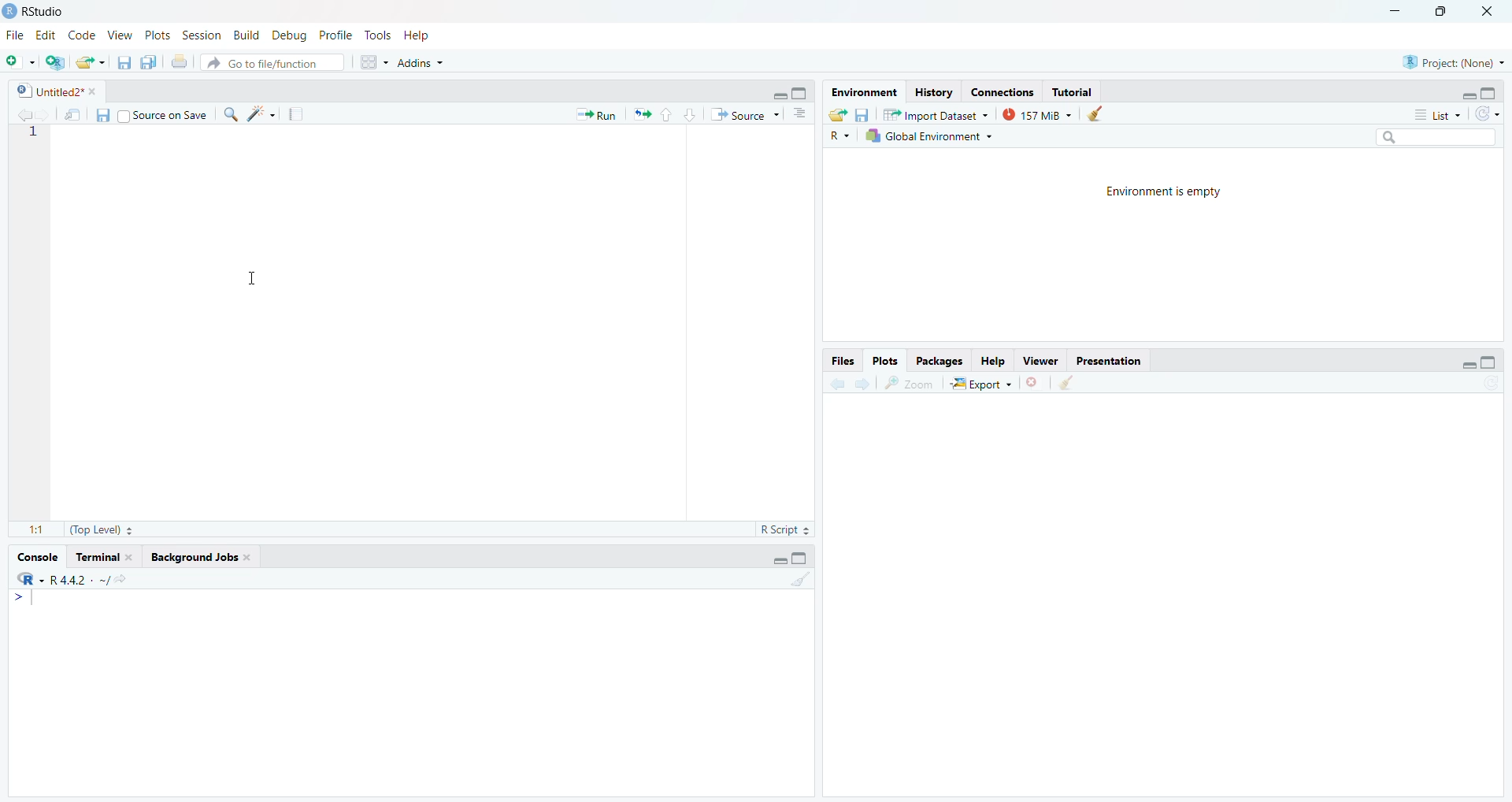 Image resolution: width=1512 pixels, height=802 pixels. Describe the element at coordinates (298, 113) in the screenshot. I see `compile report` at that location.